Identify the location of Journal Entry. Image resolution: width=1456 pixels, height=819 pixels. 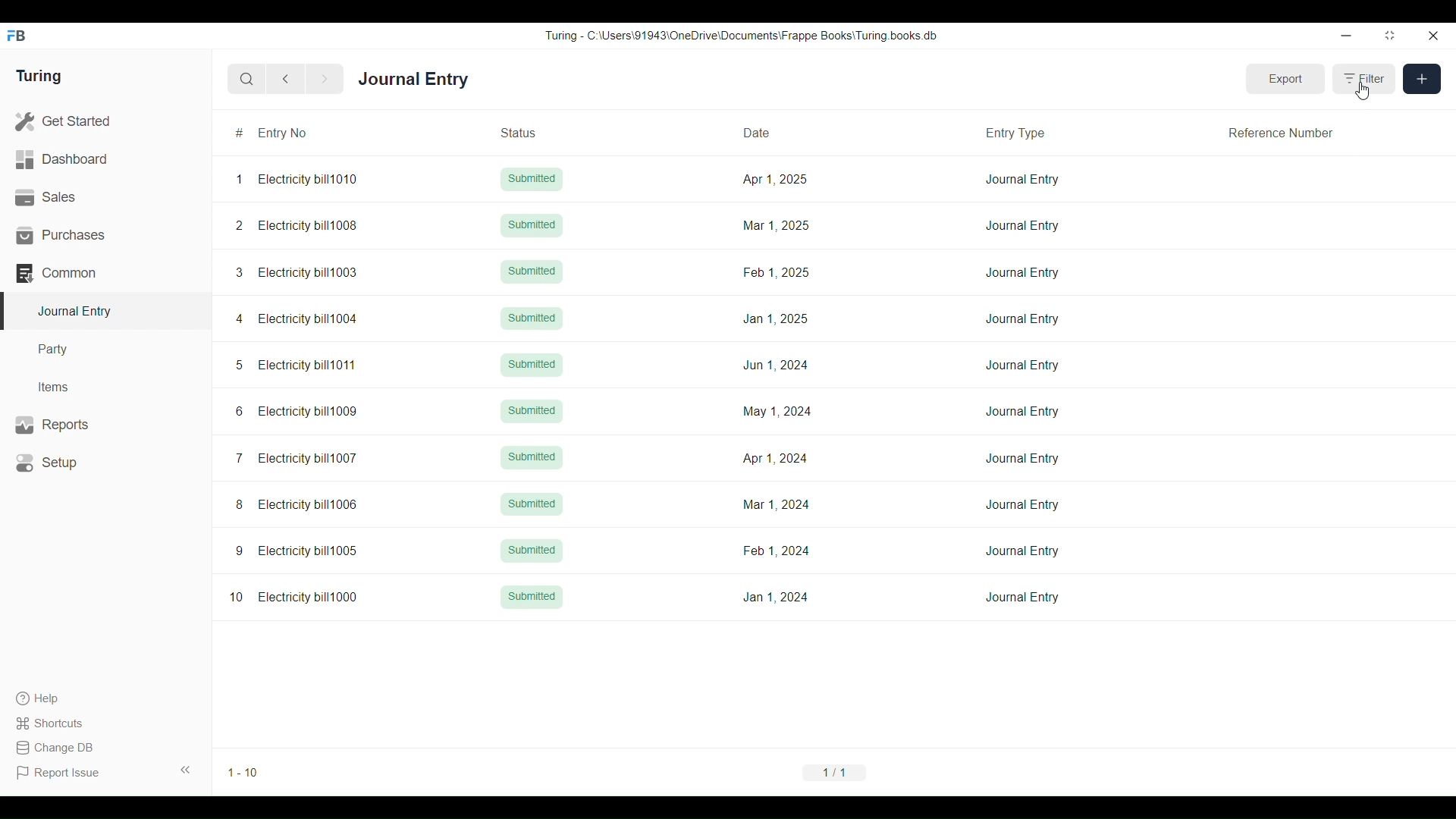
(1022, 551).